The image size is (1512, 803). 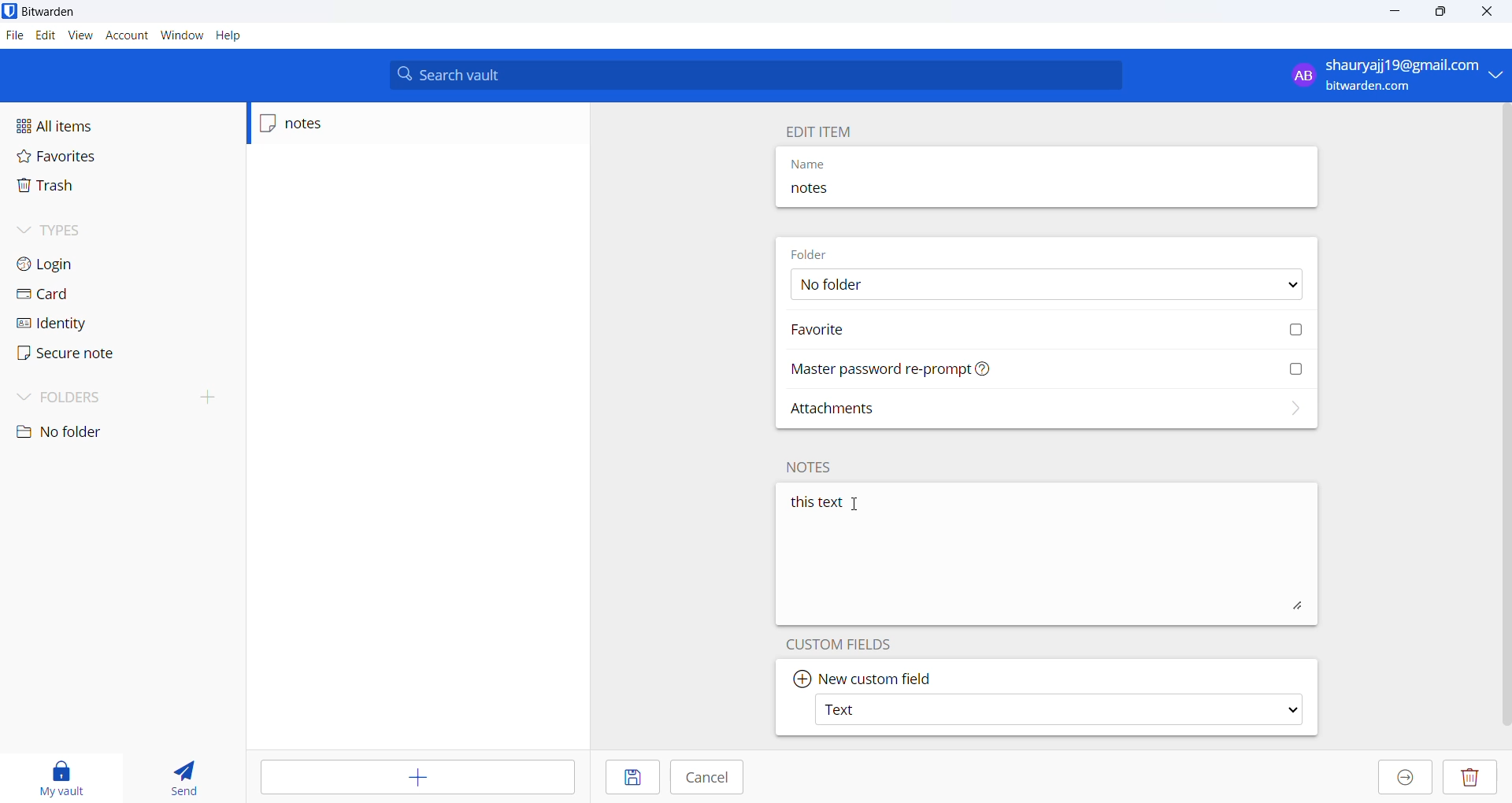 What do you see at coordinates (1472, 779) in the screenshot?
I see `delete` at bounding box center [1472, 779].